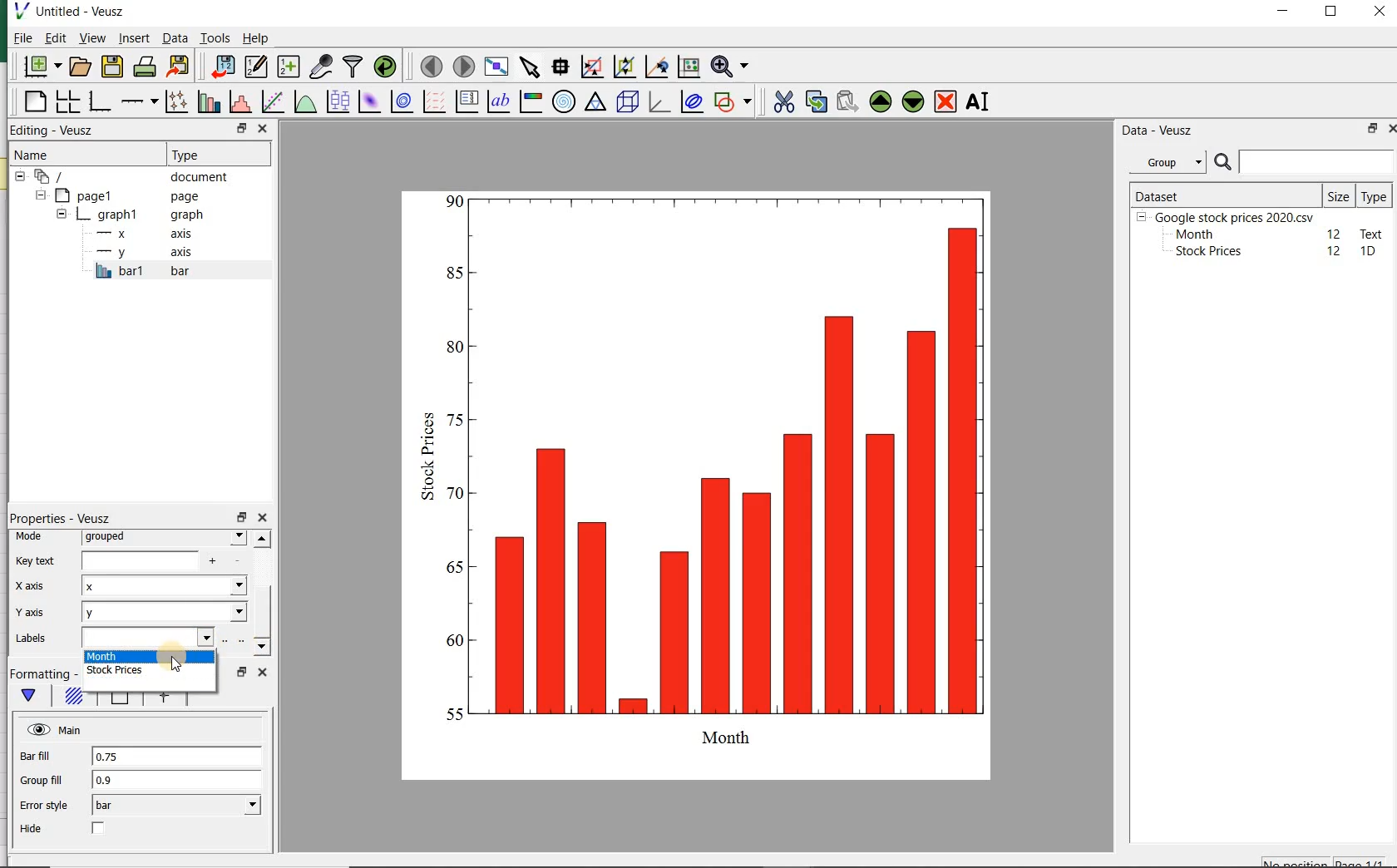 The image size is (1397, 868). Describe the element at coordinates (913, 101) in the screenshot. I see `move the selected widget down` at that location.